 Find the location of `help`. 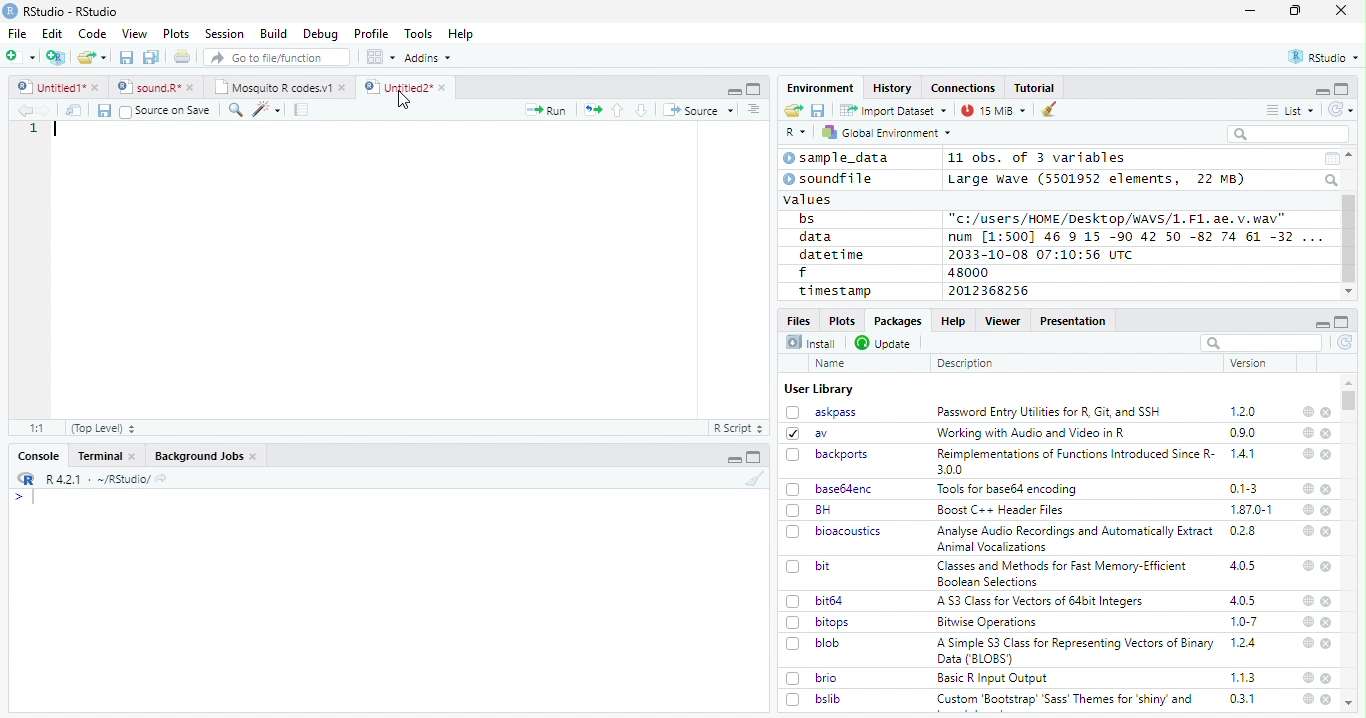

help is located at coordinates (1307, 565).